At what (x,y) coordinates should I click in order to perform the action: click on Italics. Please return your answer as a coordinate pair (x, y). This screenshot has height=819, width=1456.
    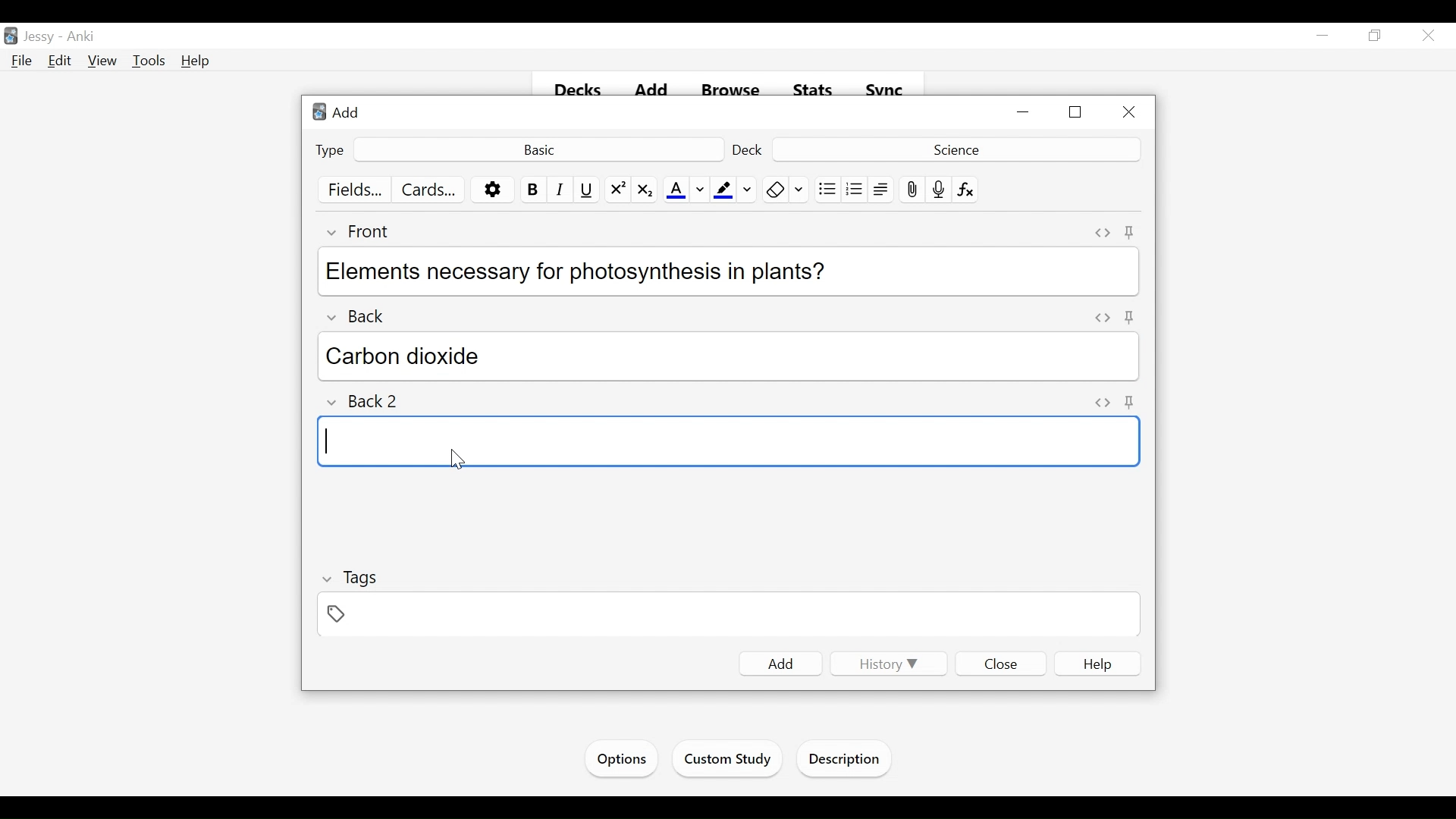
    Looking at the image, I should click on (560, 190).